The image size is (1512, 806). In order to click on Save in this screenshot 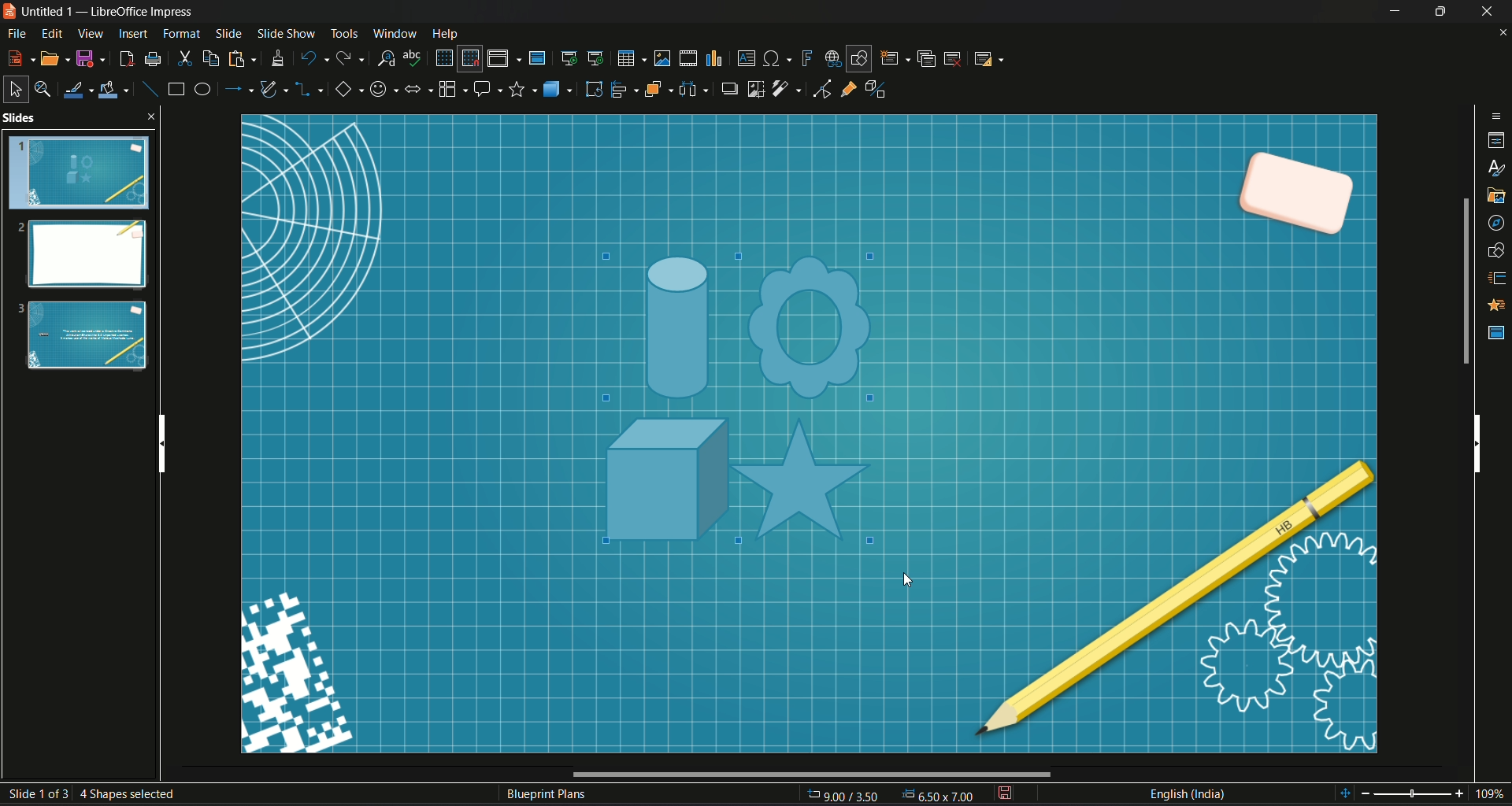, I will do `click(91, 59)`.